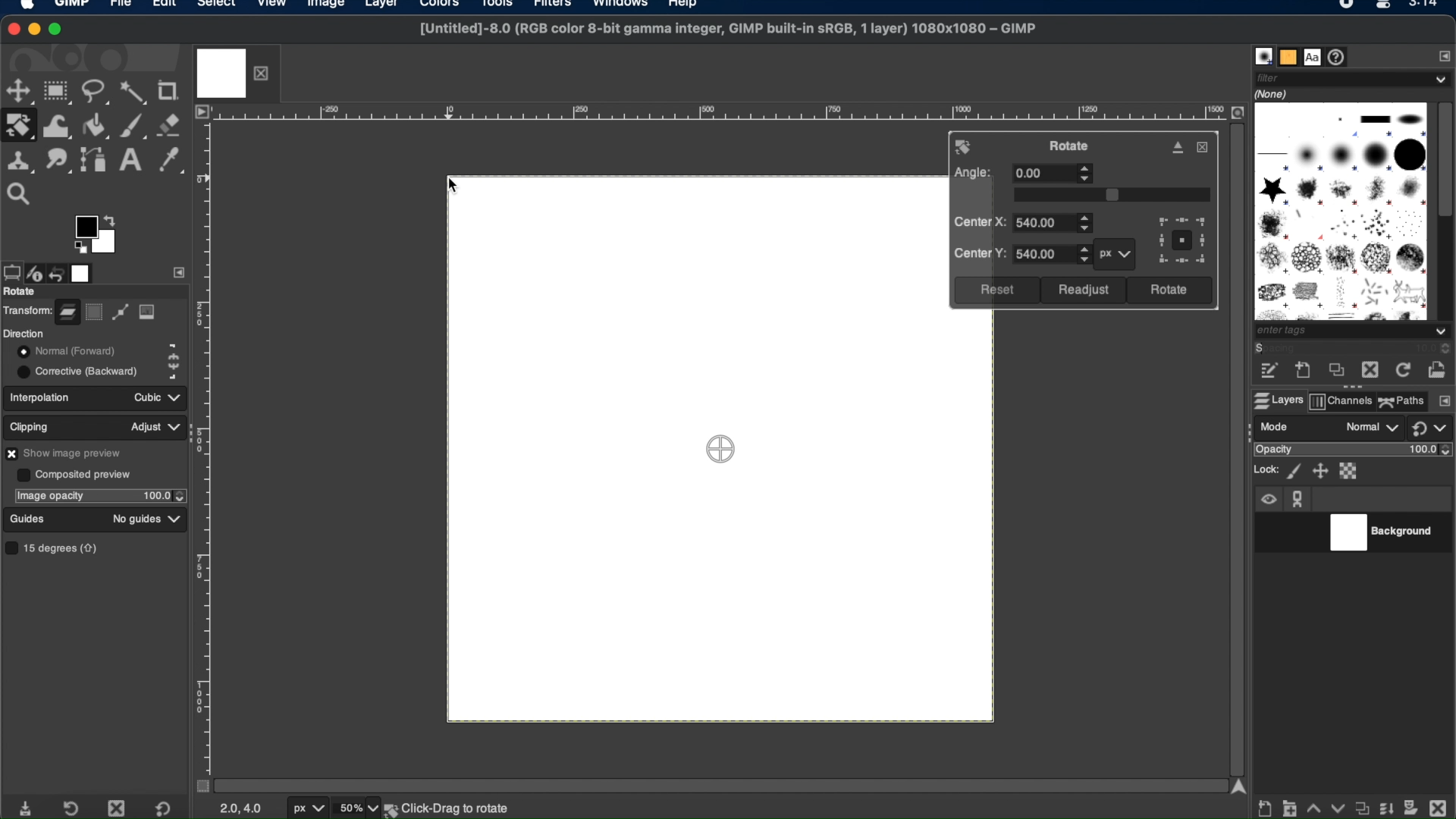  I want to click on bucket fill tool, so click(96, 125).